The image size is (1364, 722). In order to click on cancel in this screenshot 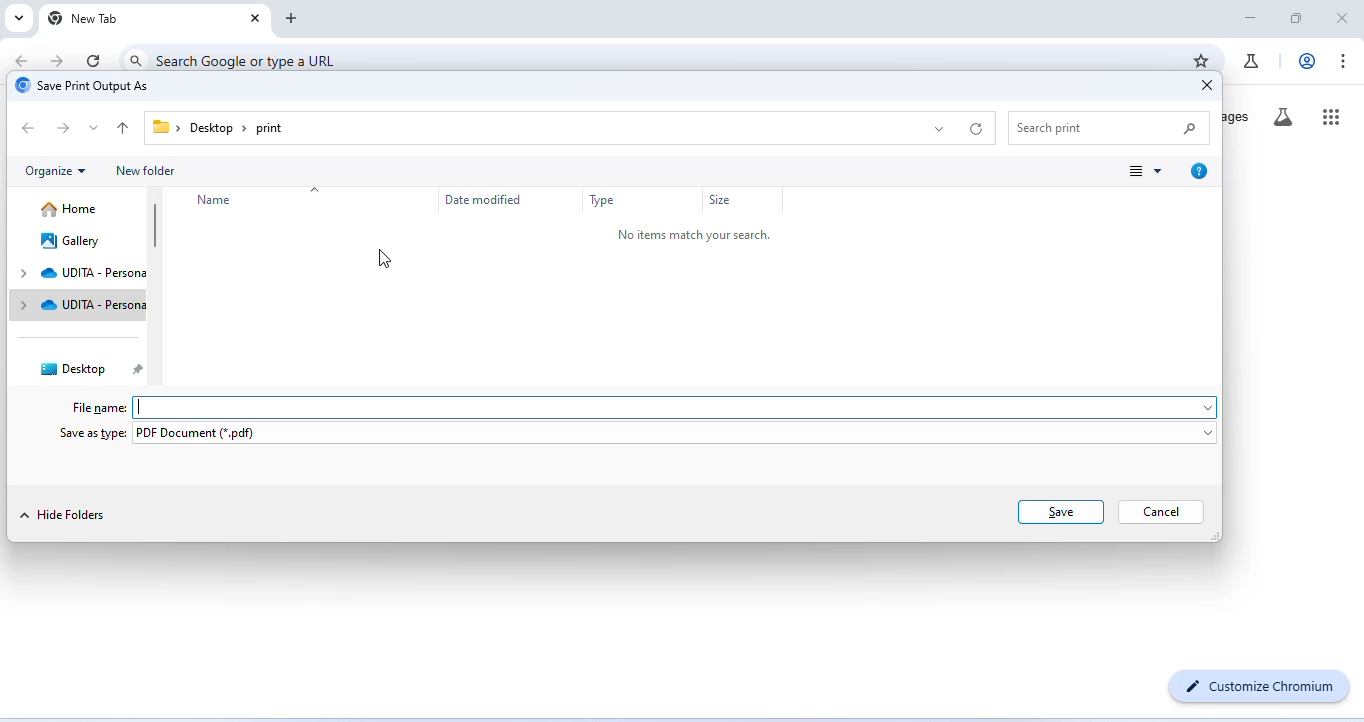, I will do `click(1163, 512)`.